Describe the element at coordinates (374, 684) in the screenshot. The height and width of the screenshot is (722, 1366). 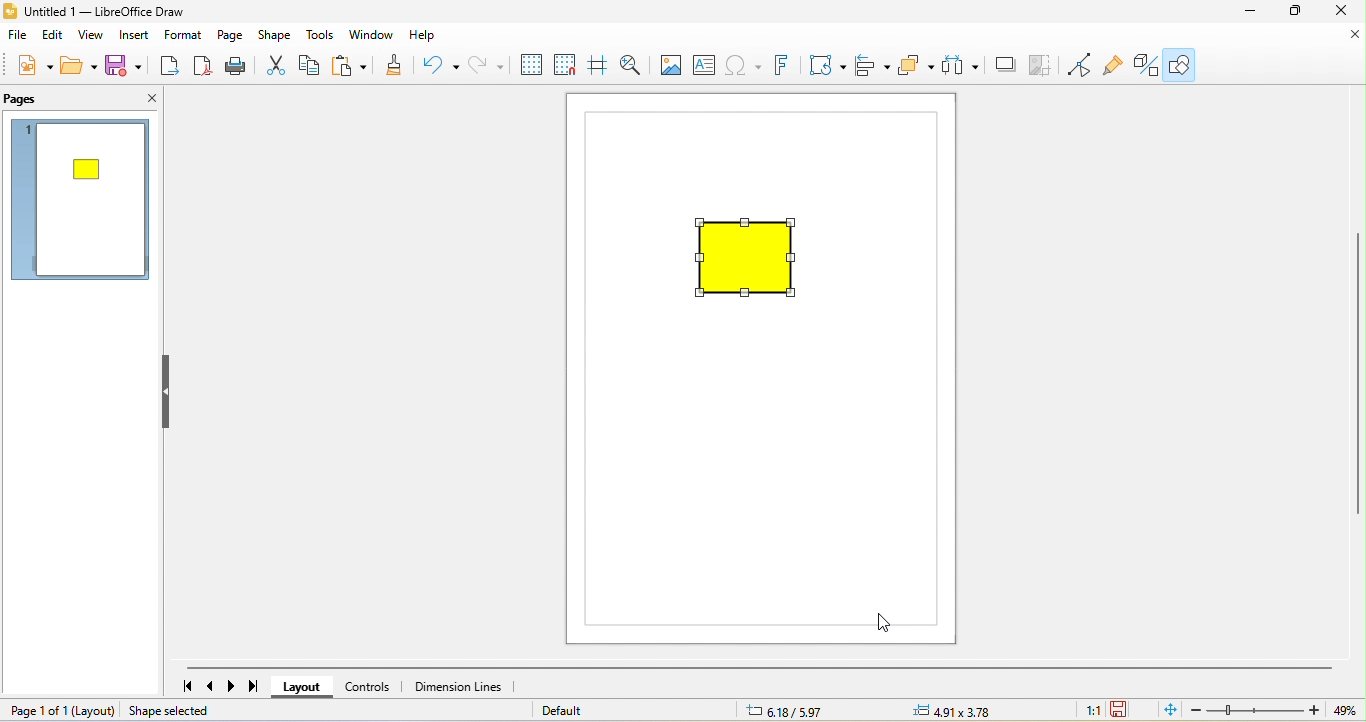
I see `controls` at that location.